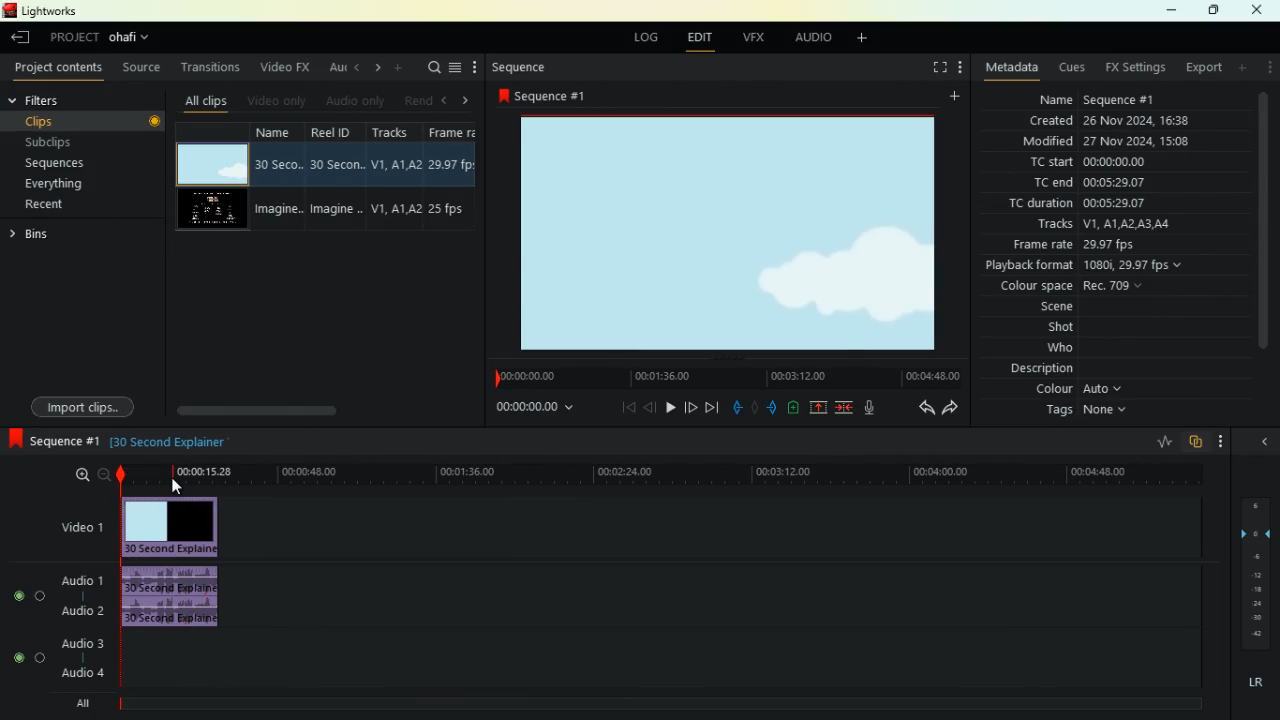  What do you see at coordinates (1134, 265) in the screenshot?
I see `1080i, 29.97 fps v` at bounding box center [1134, 265].